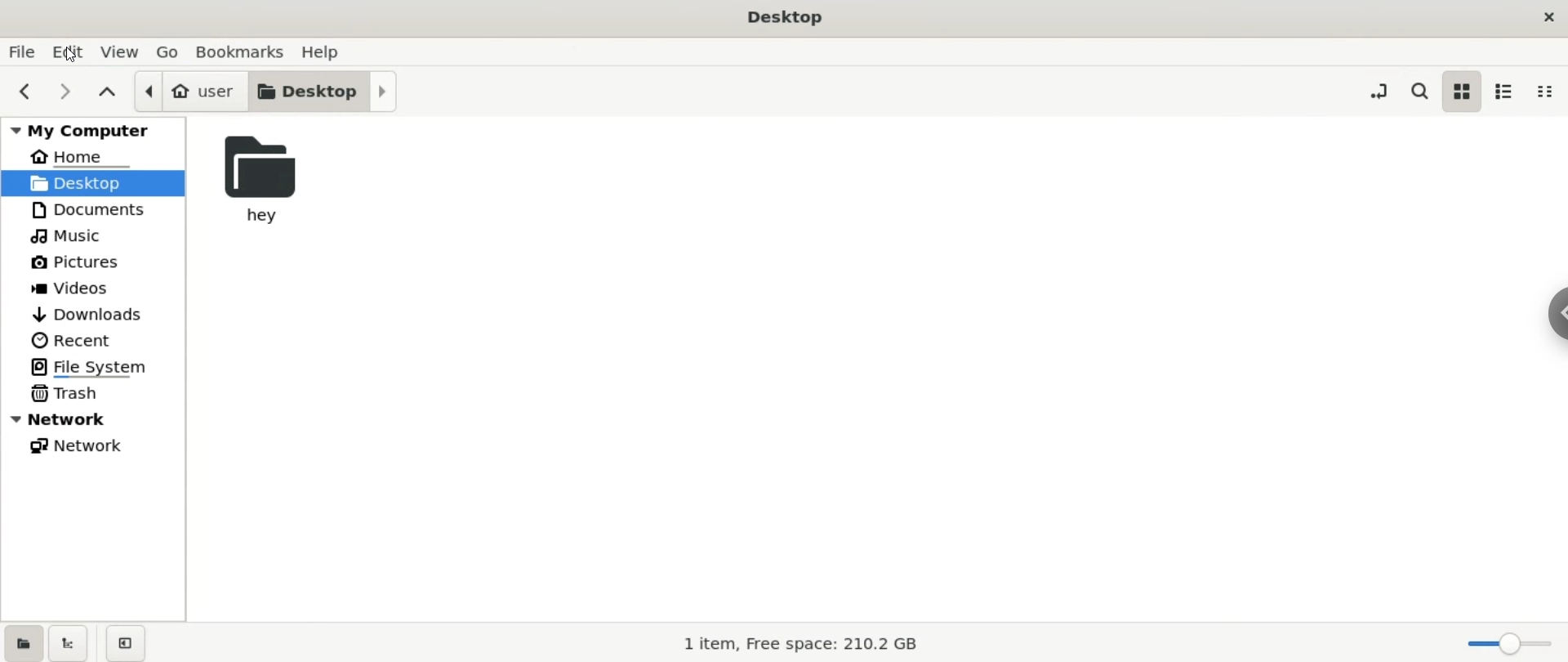  What do you see at coordinates (184, 92) in the screenshot?
I see `user` at bounding box center [184, 92].